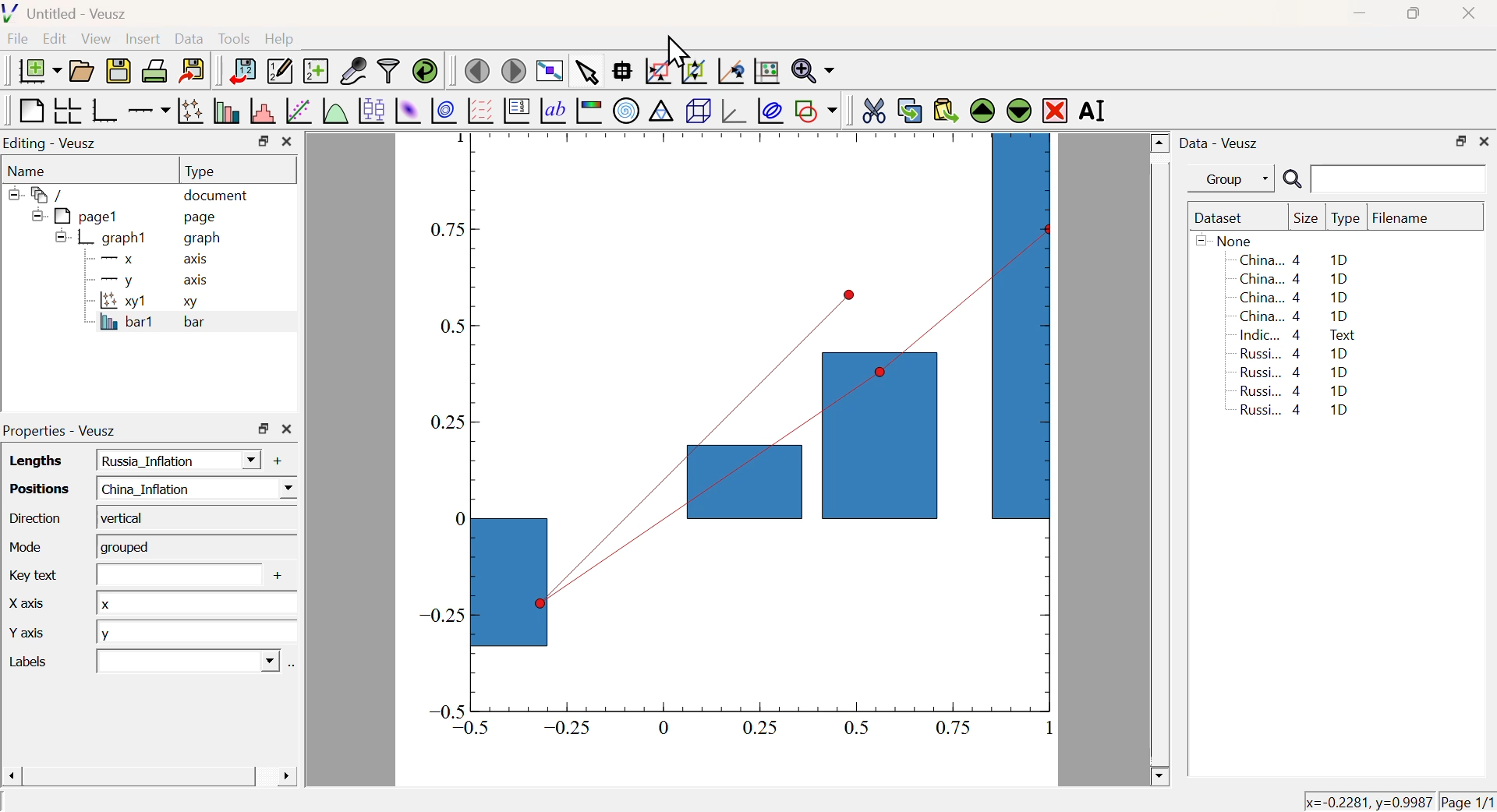 This screenshot has height=812, width=1497. What do you see at coordinates (1306, 219) in the screenshot?
I see `Size` at bounding box center [1306, 219].